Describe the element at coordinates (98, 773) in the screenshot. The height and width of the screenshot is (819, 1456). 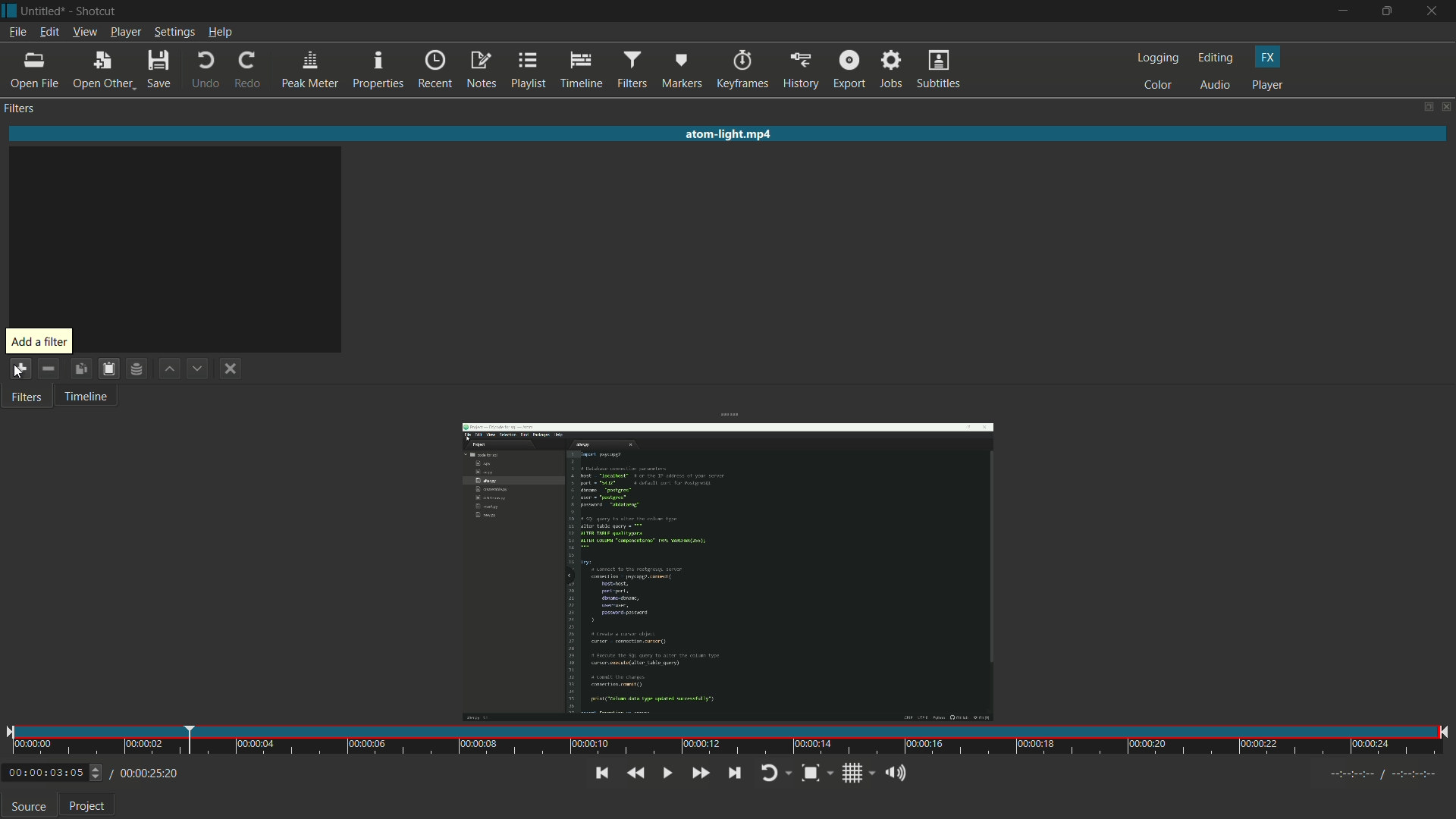
I see `up and down` at that location.